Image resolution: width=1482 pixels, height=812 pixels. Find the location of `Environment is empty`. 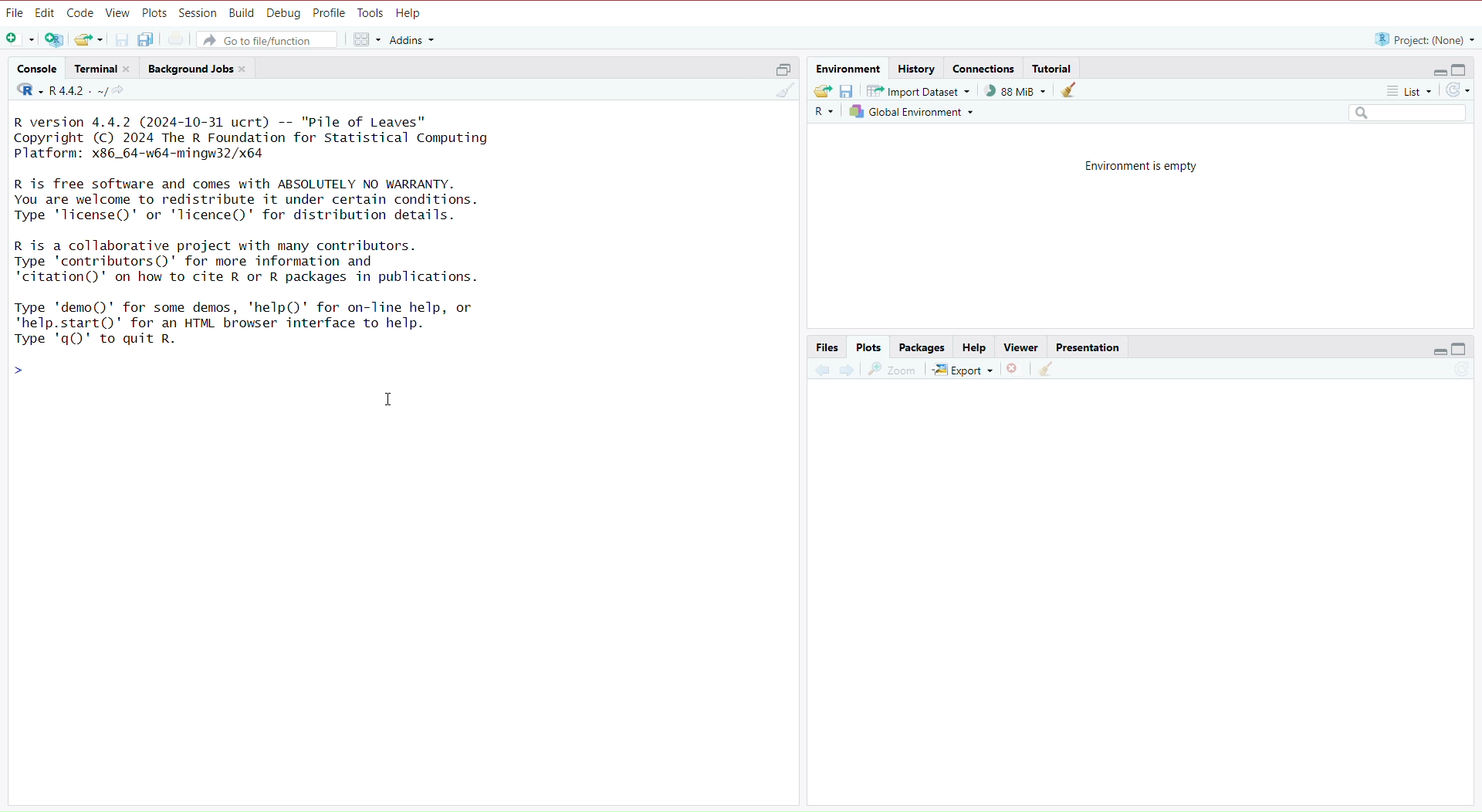

Environment is empty is located at coordinates (1143, 165).